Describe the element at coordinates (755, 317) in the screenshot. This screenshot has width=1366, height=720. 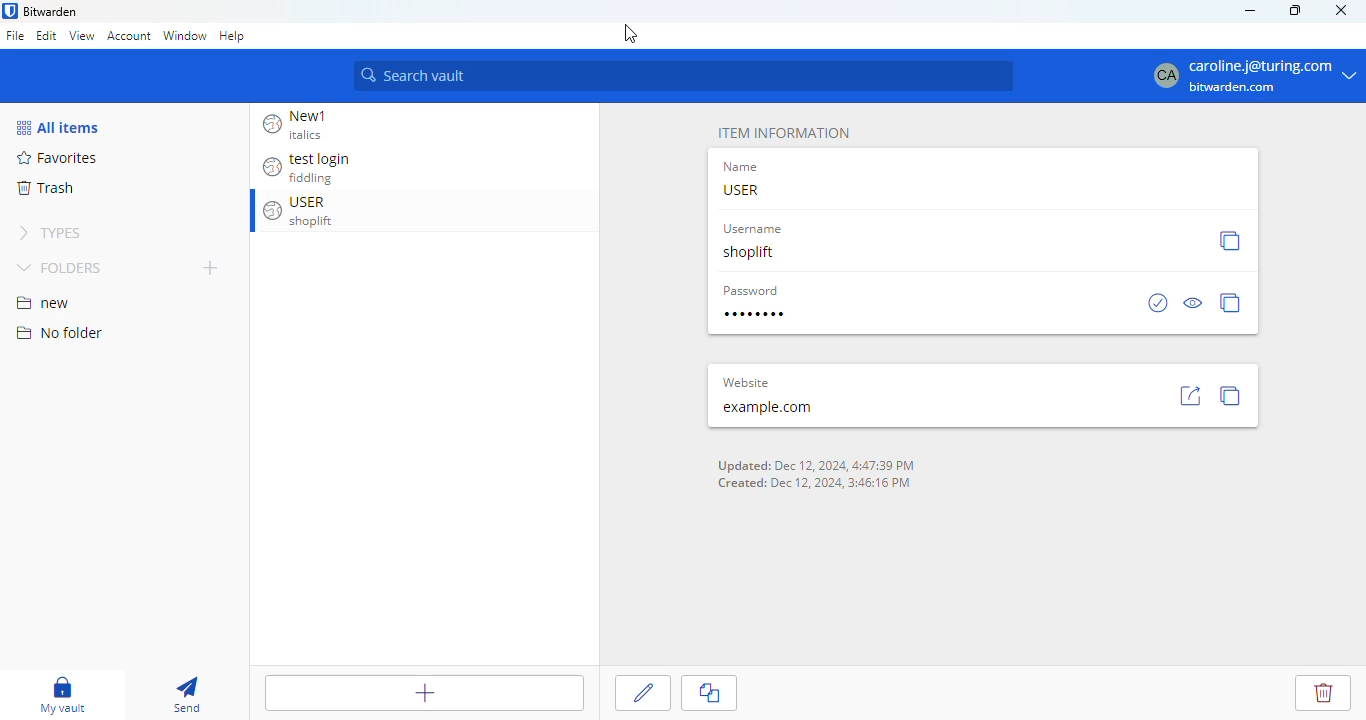
I see `type password` at that location.